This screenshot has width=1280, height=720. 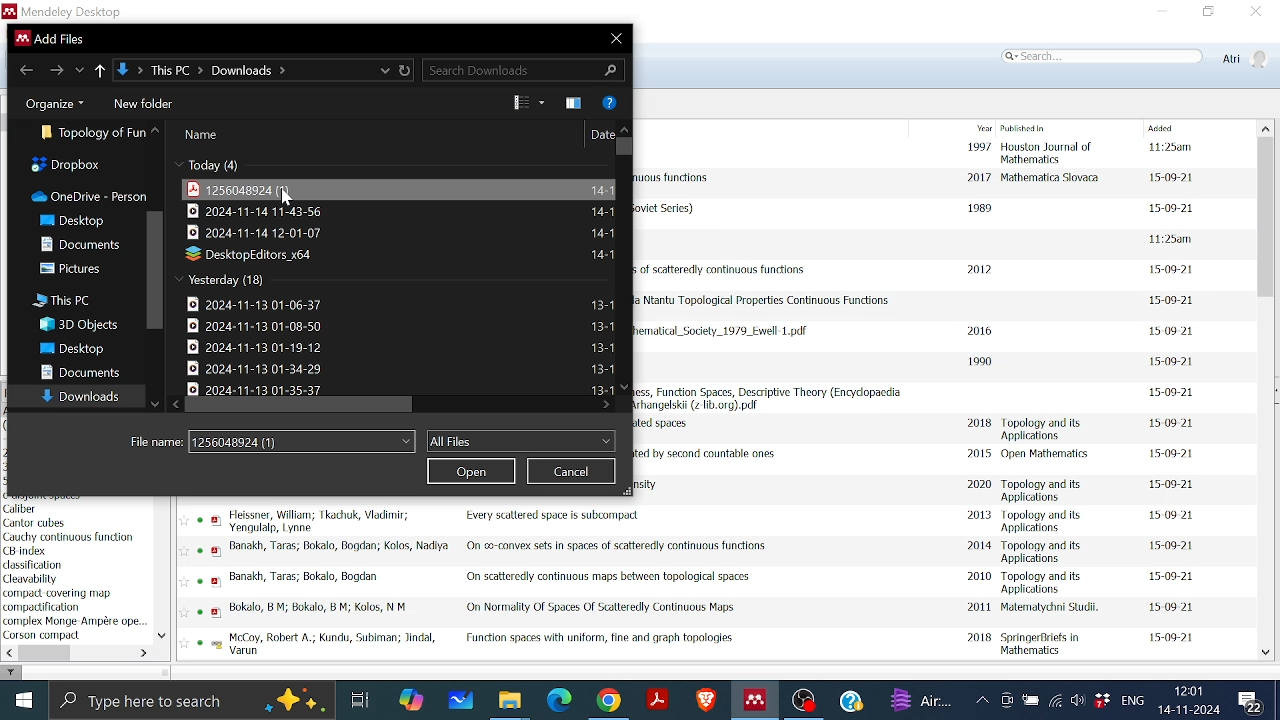 What do you see at coordinates (1245, 60) in the screenshot?
I see `Profile` at bounding box center [1245, 60].